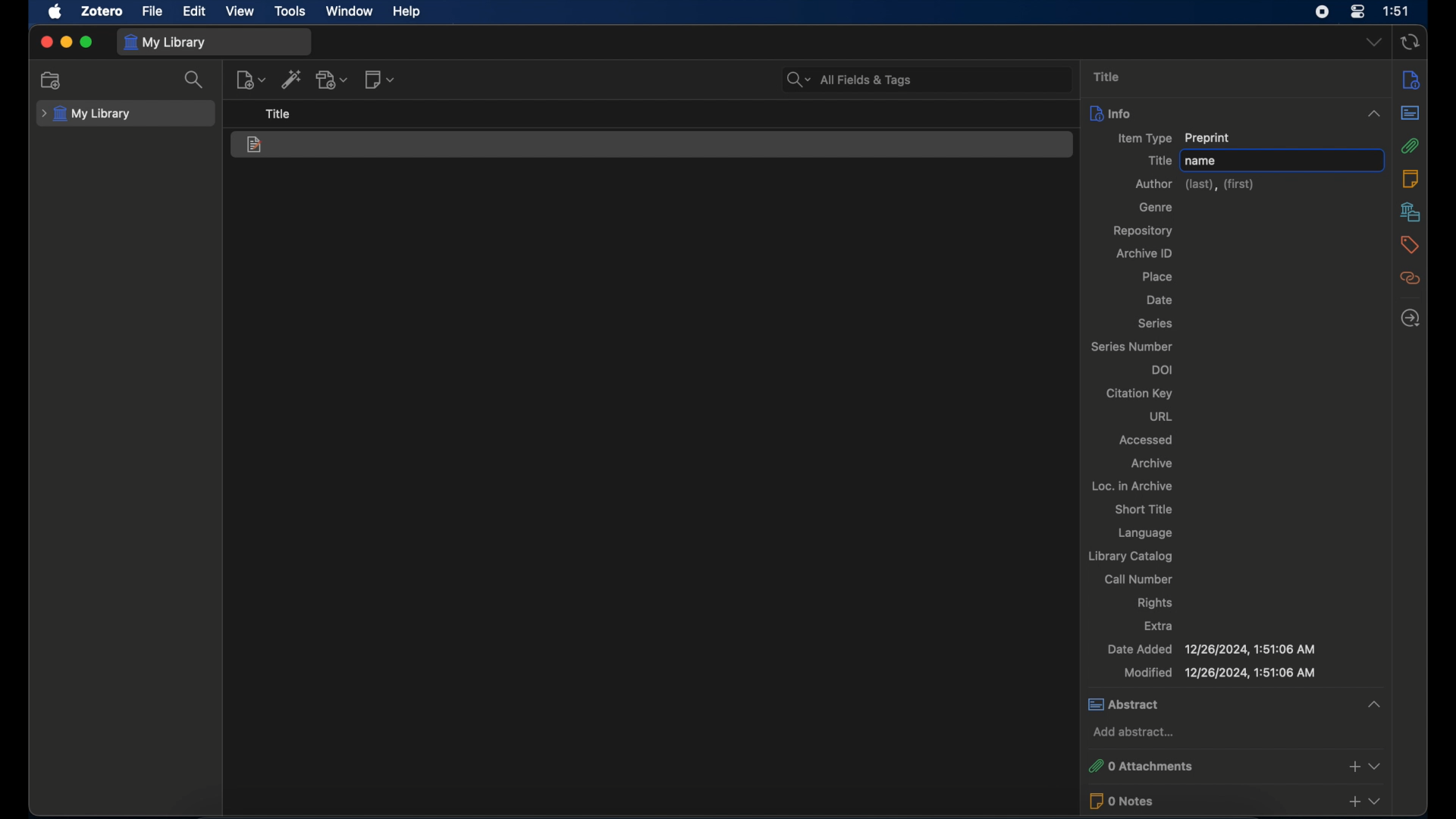 The width and height of the screenshot is (1456, 819). I want to click on archive id, so click(1143, 253).